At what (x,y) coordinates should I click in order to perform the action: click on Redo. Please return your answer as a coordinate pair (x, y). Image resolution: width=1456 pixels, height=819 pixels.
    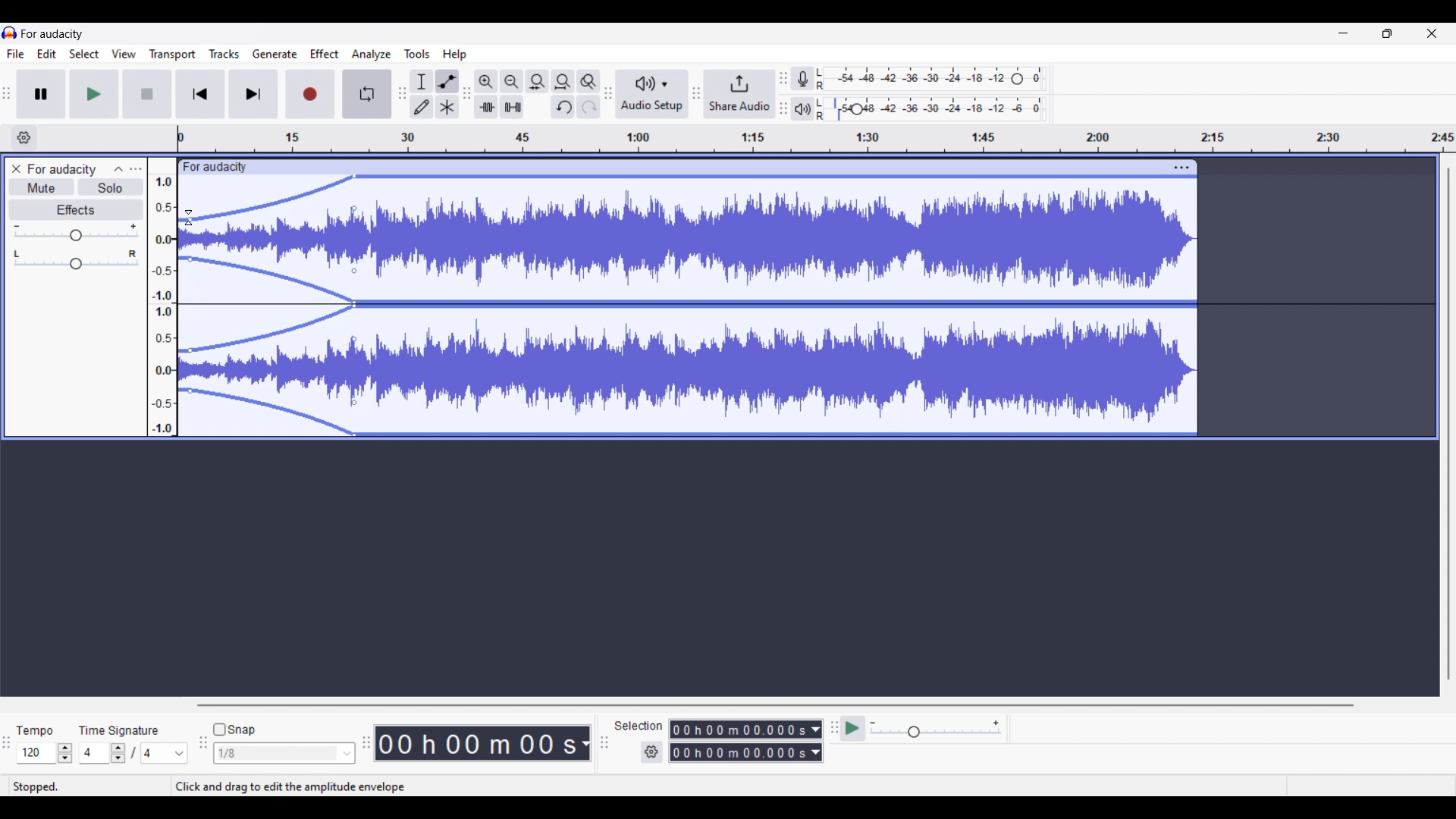
    Looking at the image, I should click on (589, 106).